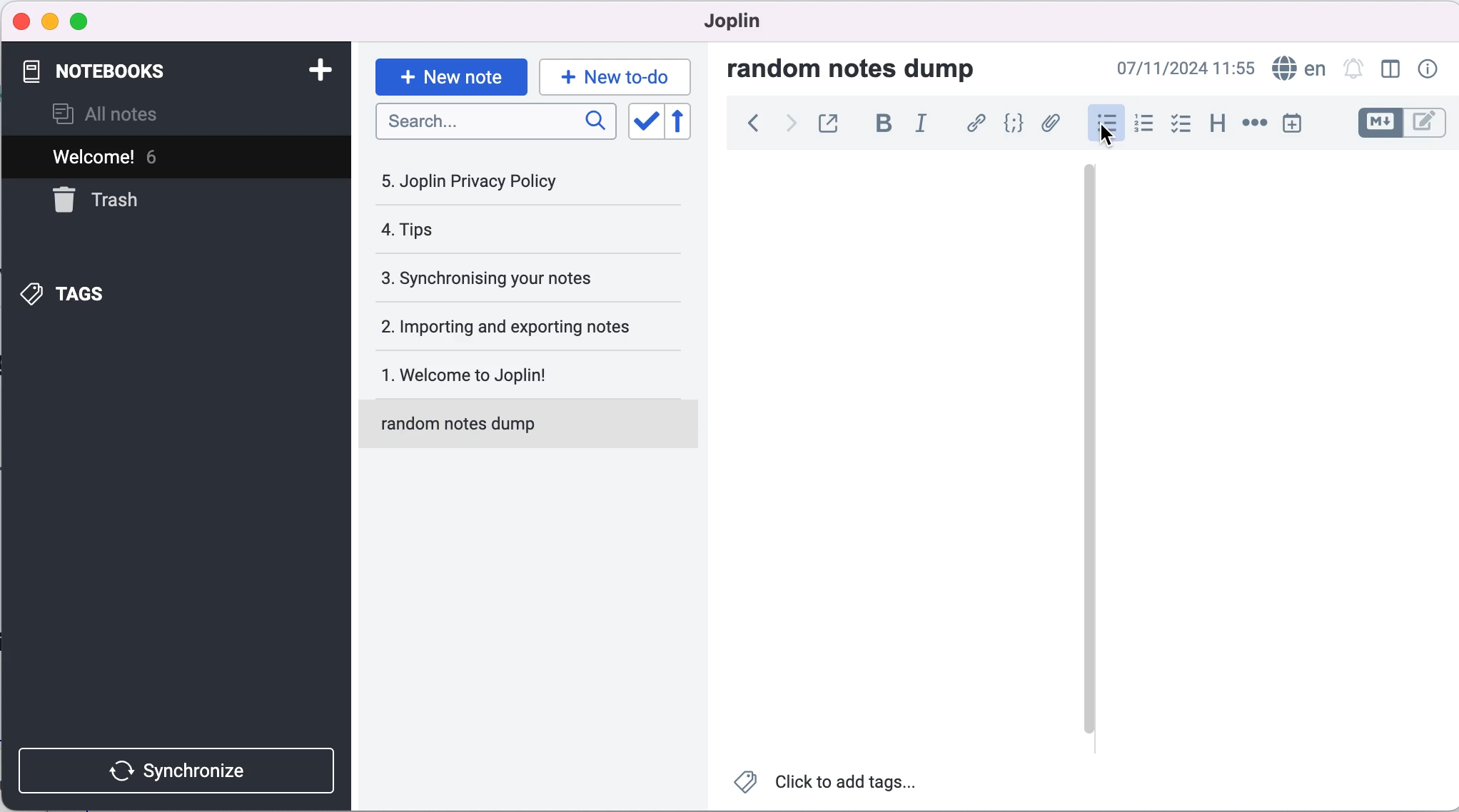  Describe the element at coordinates (1213, 125) in the screenshot. I see `heading` at that location.